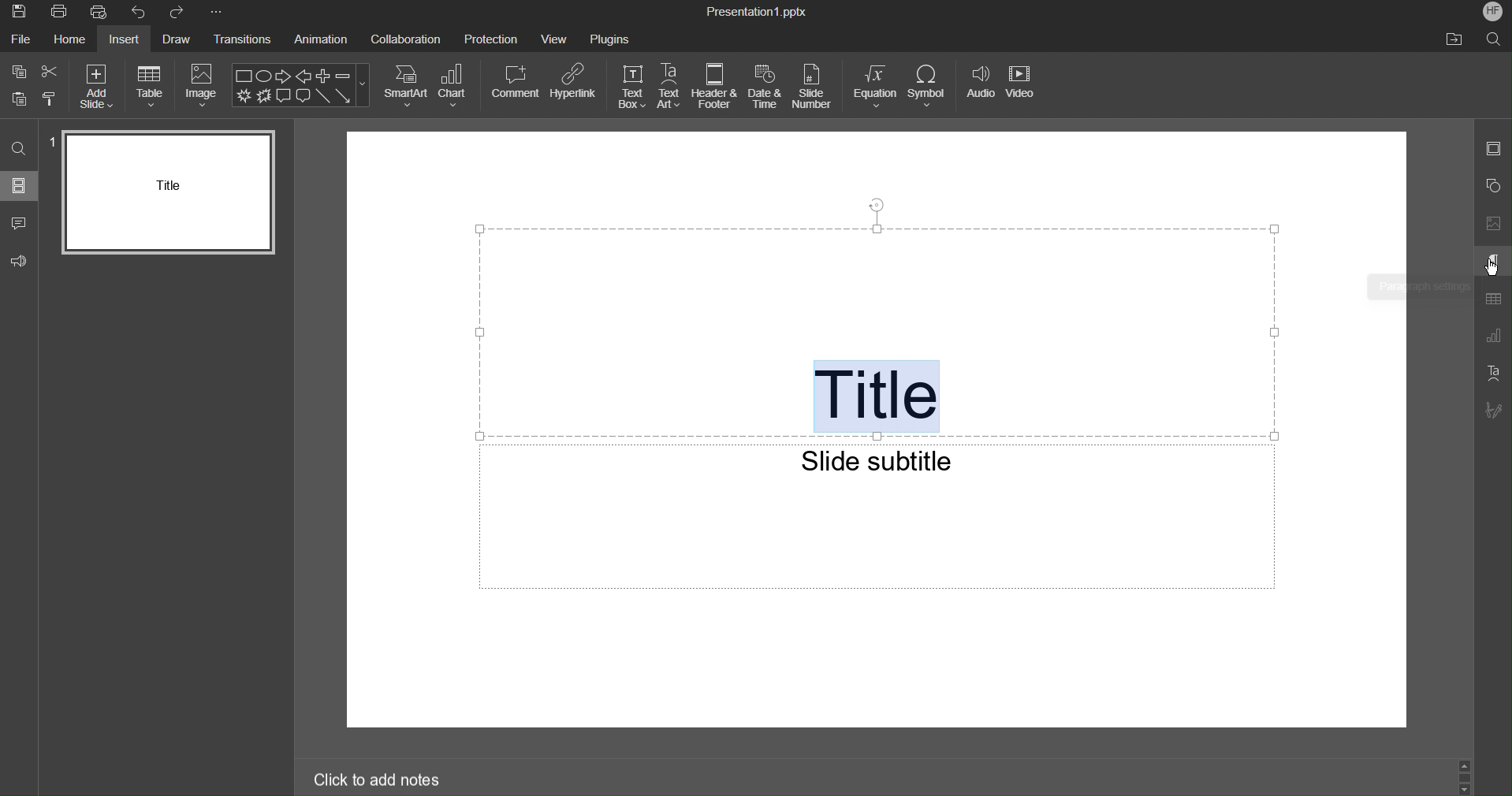 The height and width of the screenshot is (796, 1512). What do you see at coordinates (1495, 39) in the screenshot?
I see `Search` at bounding box center [1495, 39].